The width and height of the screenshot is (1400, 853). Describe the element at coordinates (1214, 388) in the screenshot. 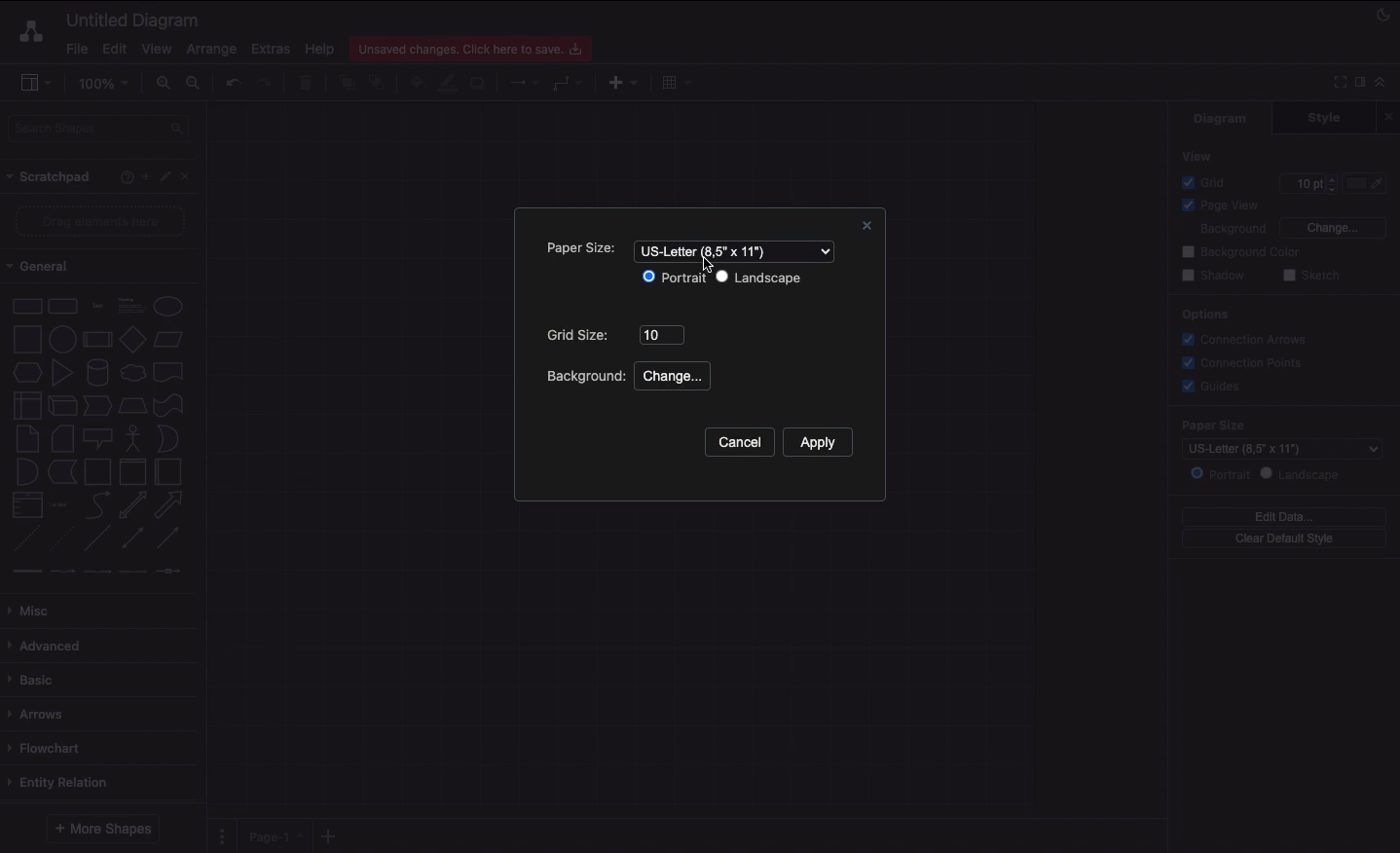

I see `Guides` at that location.